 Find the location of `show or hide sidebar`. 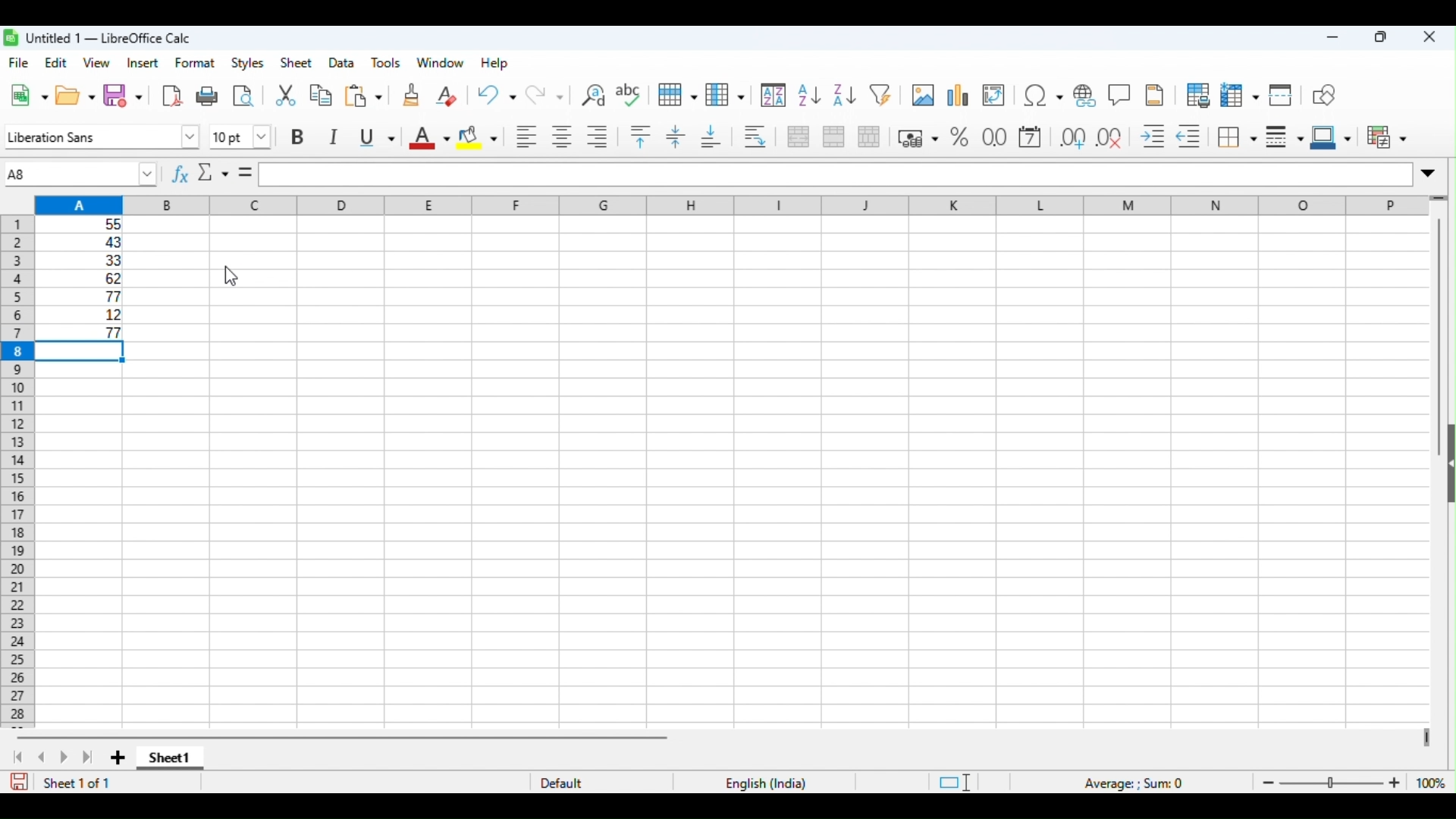

show or hide sidebar is located at coordinates (1447, 469).